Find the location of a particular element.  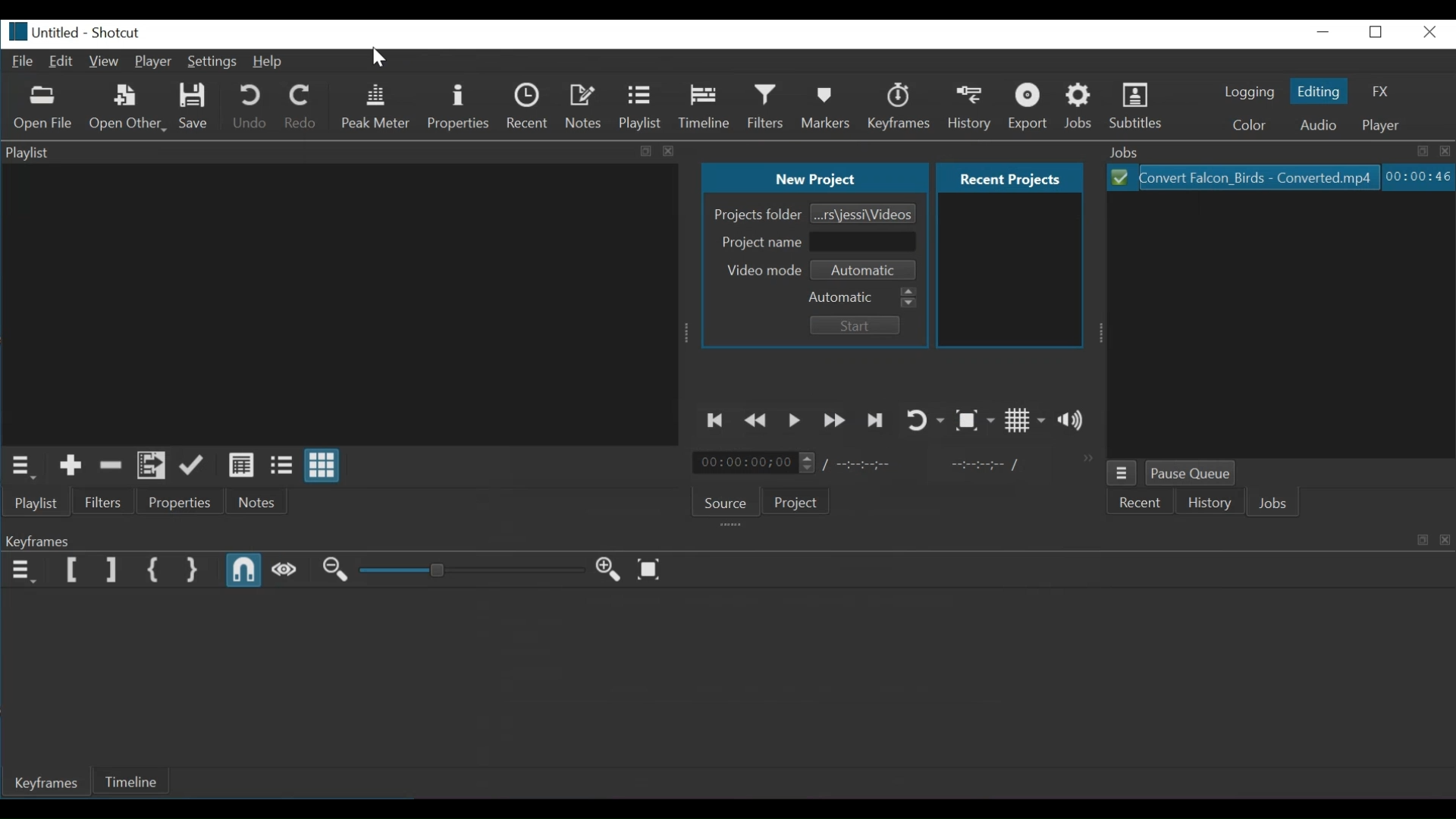

Pause Queue is located at coordinates (1191, 474).